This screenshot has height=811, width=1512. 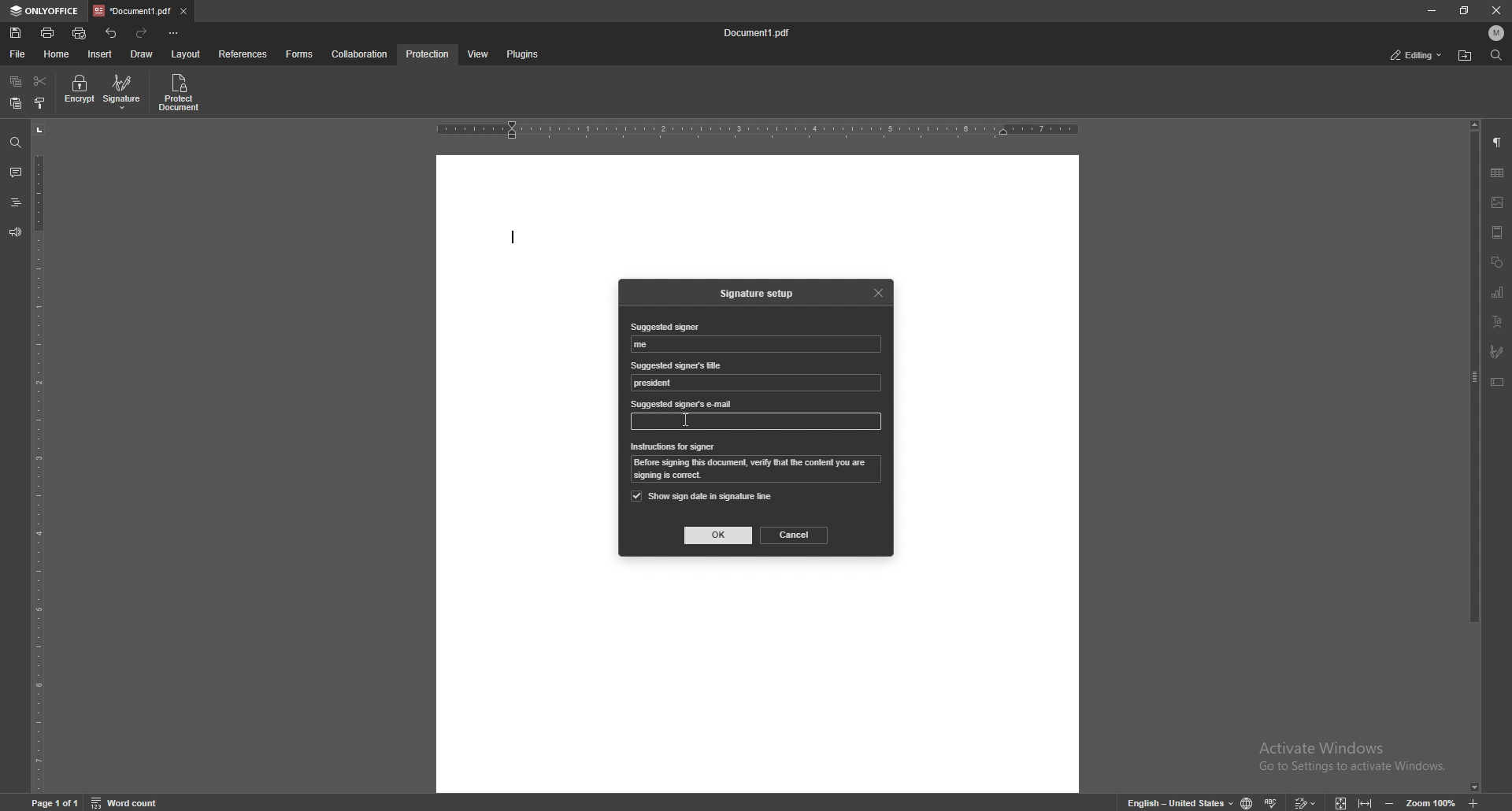 What do you see at coordinates (301, 54) in the screenshot?
I see `forms` at bounding box center [301, 54].